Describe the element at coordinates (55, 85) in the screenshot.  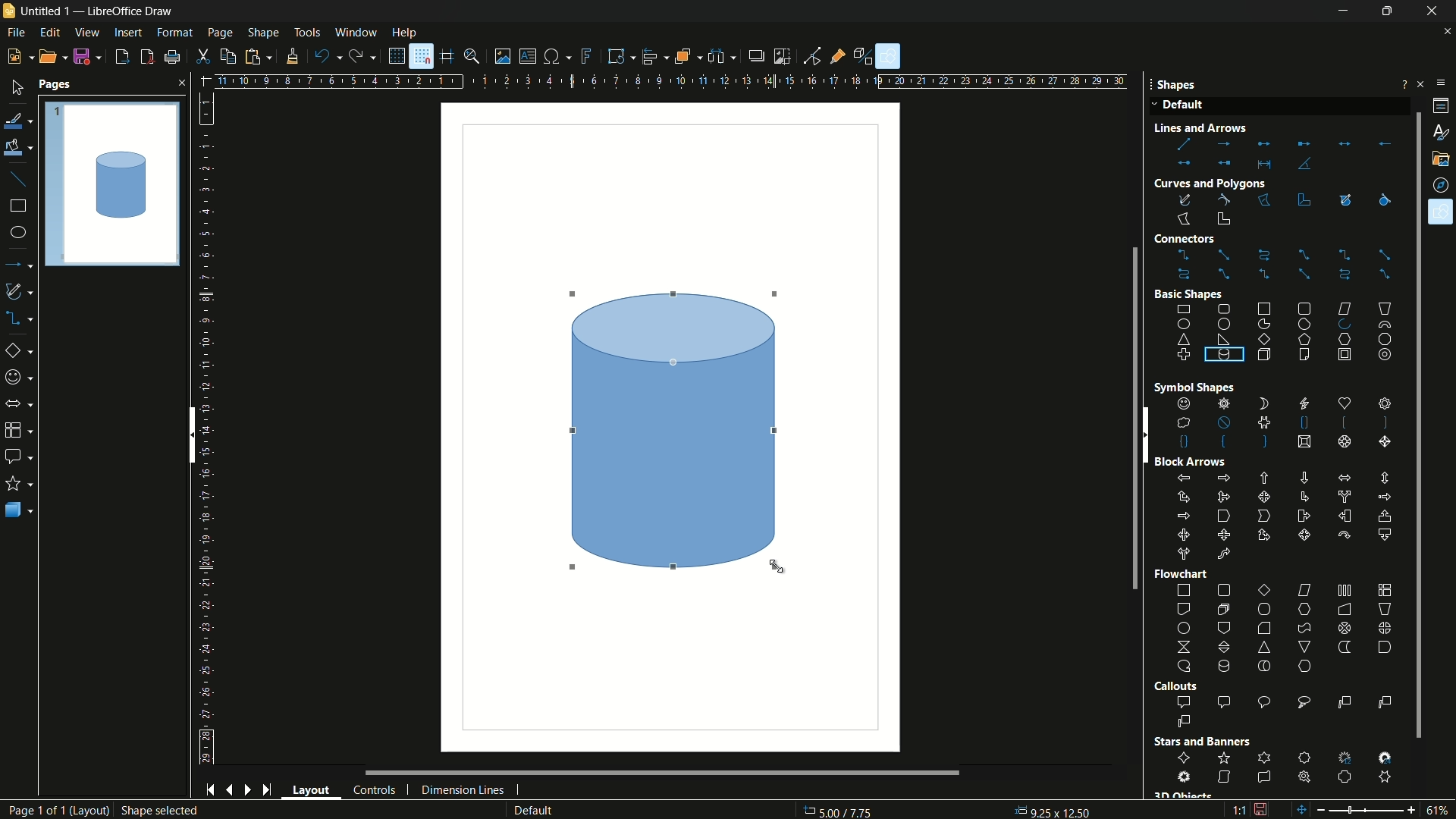
I see `pages` at that location.